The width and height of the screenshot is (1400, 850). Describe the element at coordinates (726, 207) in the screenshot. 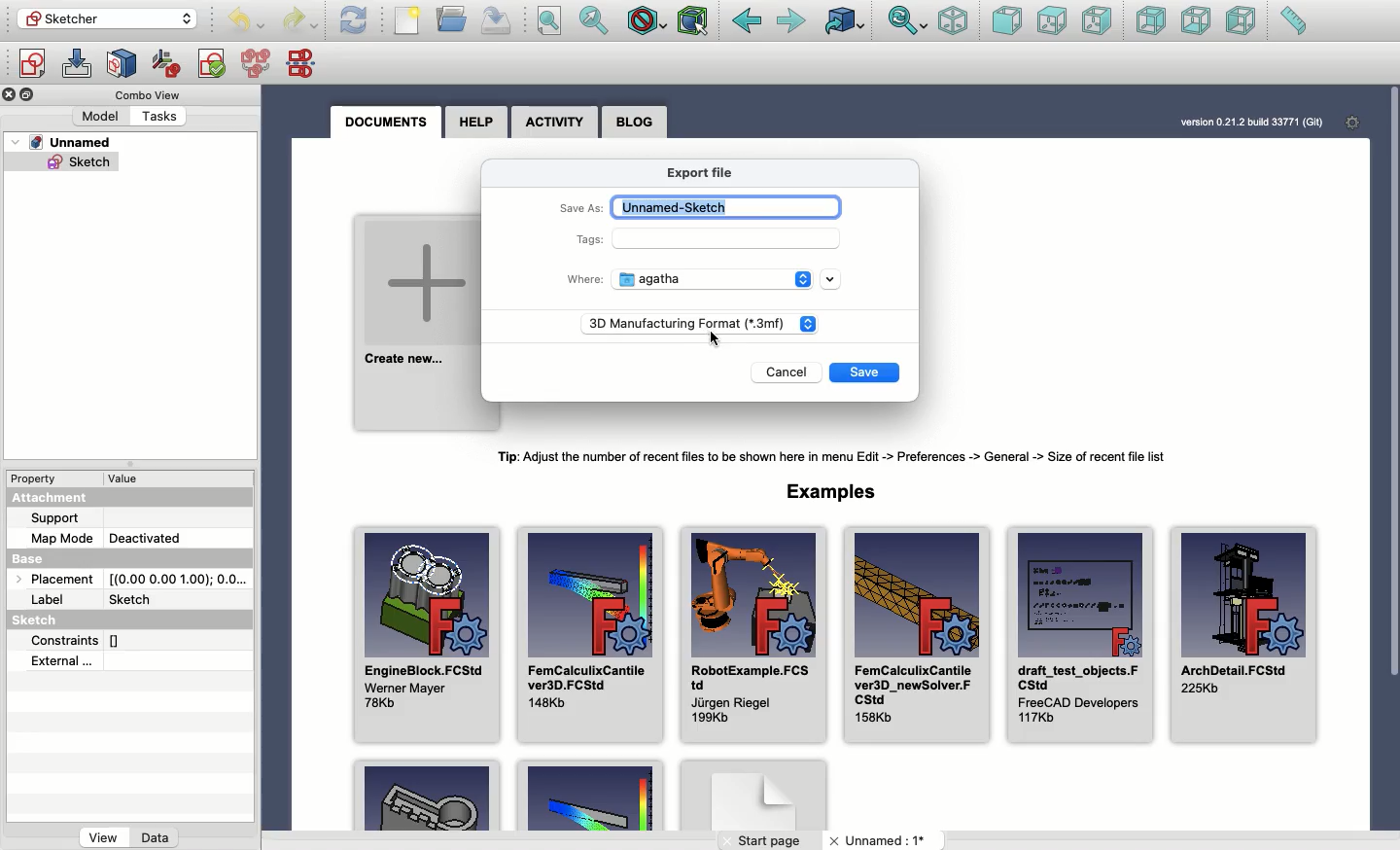

I see `Unnamed-sketch` at that location.